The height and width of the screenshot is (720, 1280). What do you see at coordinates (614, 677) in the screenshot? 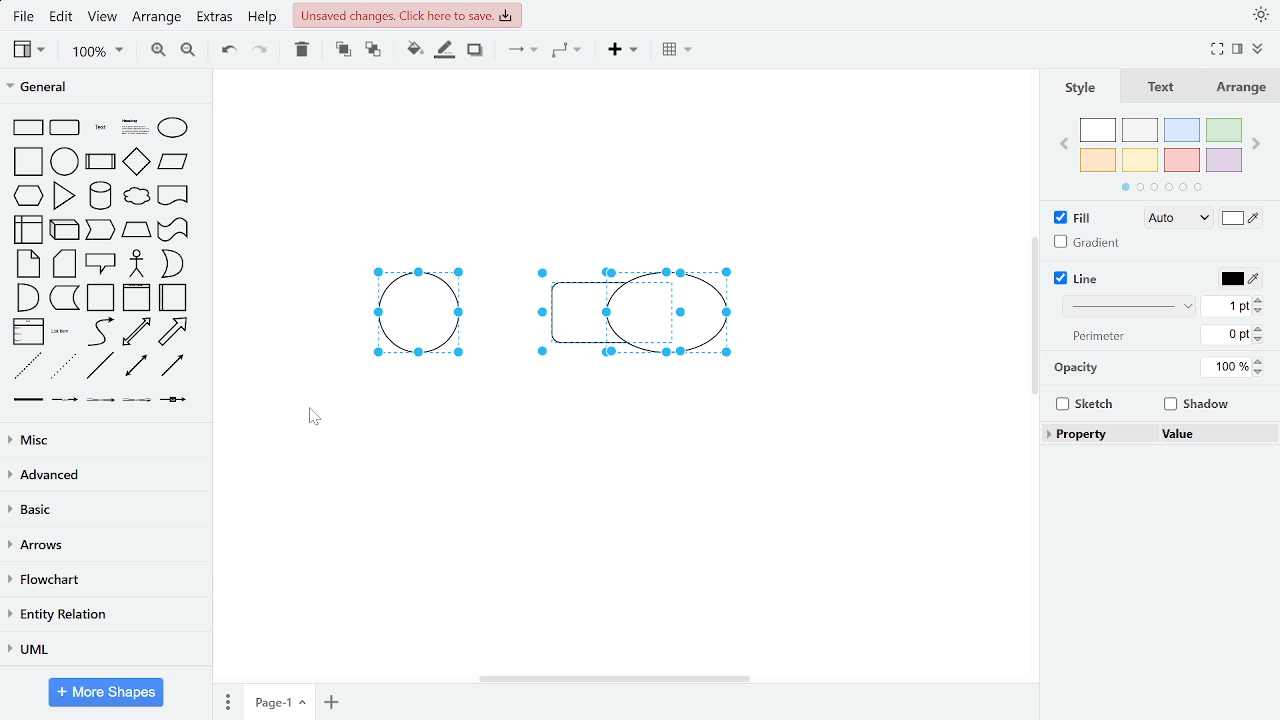
I see `horizontal scrollbar` at bounding box center [614, 677].